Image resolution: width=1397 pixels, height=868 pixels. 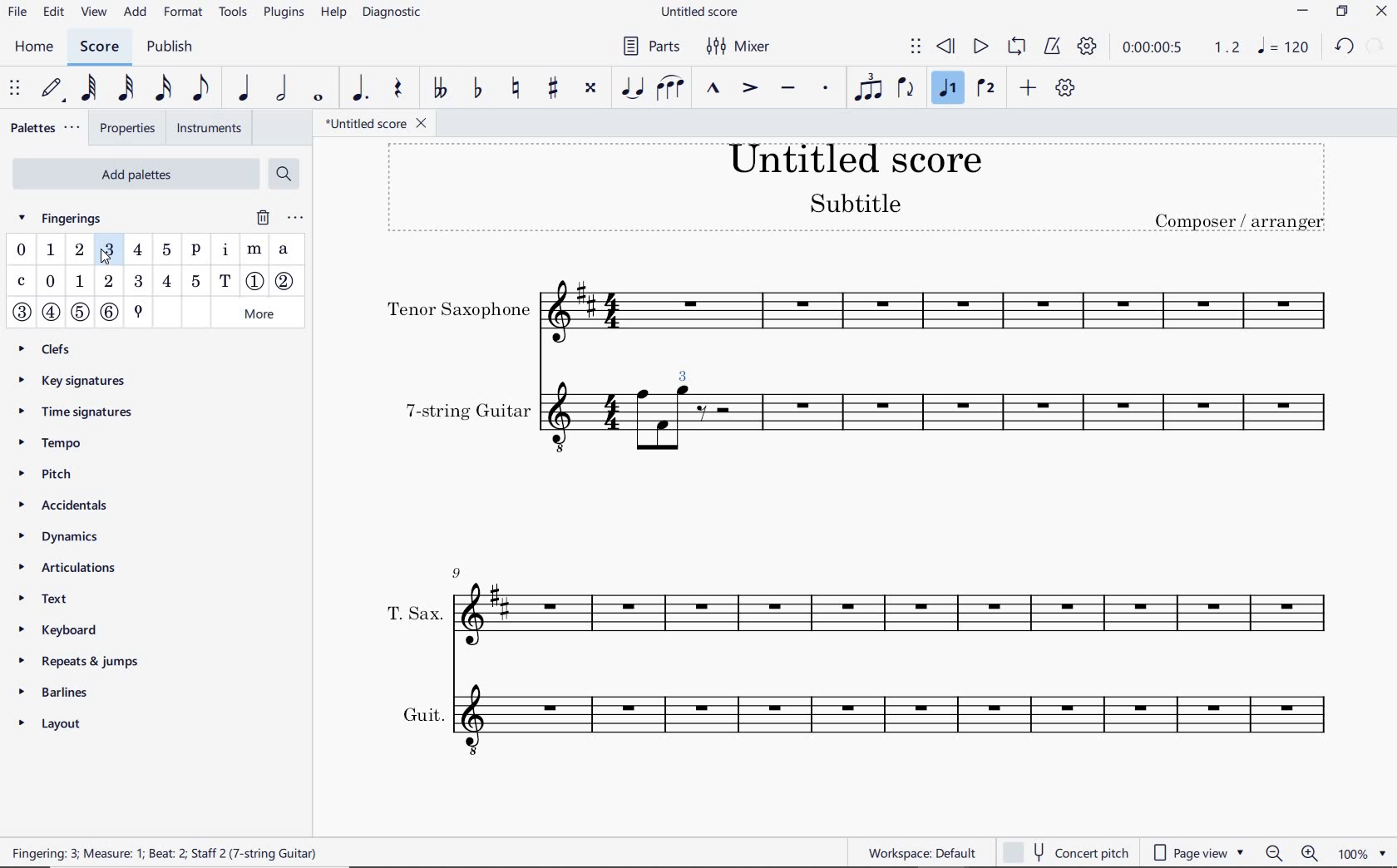 I want to click on fingerings 2, so click(x=78, y=249).